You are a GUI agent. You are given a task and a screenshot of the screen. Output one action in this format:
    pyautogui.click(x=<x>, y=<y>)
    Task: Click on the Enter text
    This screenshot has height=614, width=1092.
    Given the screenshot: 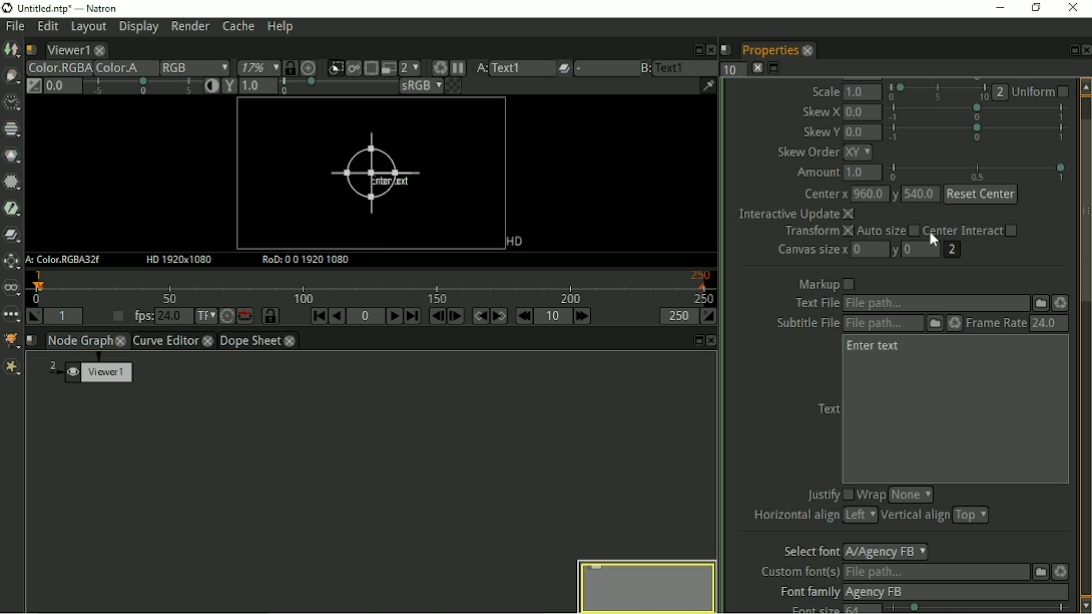 What is the action you would take?
    pyautogui.click(x=876, y=348)
    